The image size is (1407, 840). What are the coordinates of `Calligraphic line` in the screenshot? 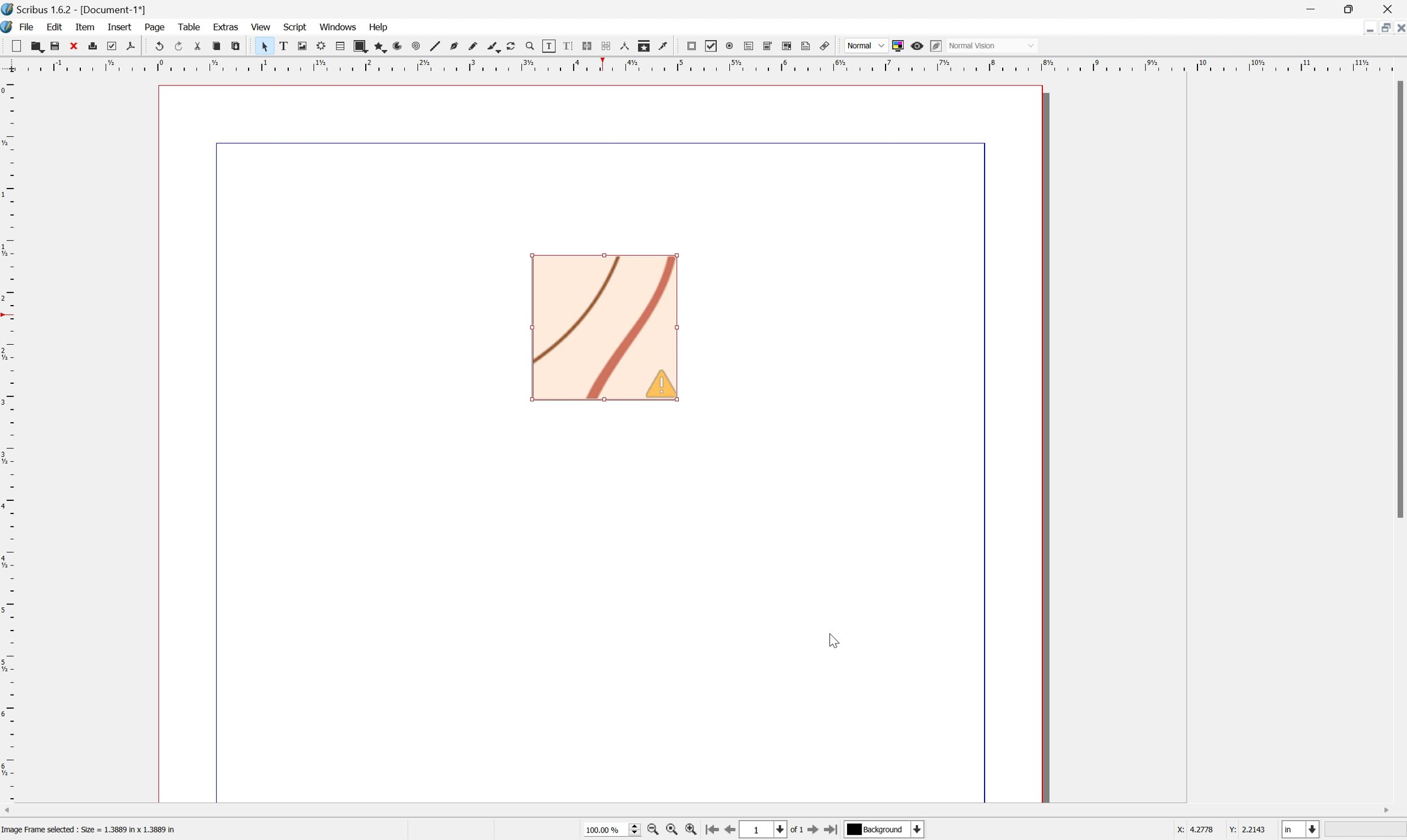 It's located at (496, 48).